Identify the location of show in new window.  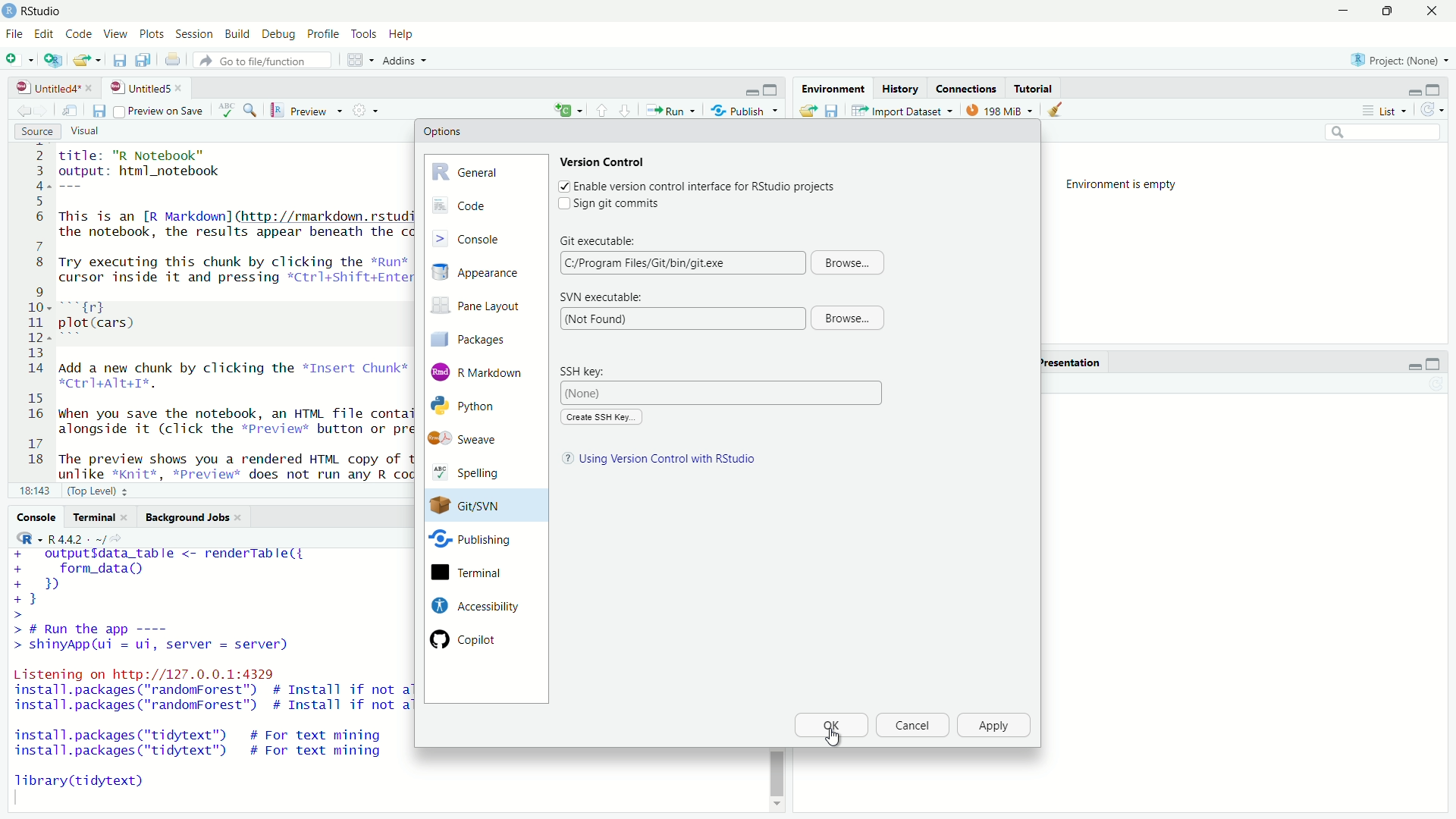
(70, 111).